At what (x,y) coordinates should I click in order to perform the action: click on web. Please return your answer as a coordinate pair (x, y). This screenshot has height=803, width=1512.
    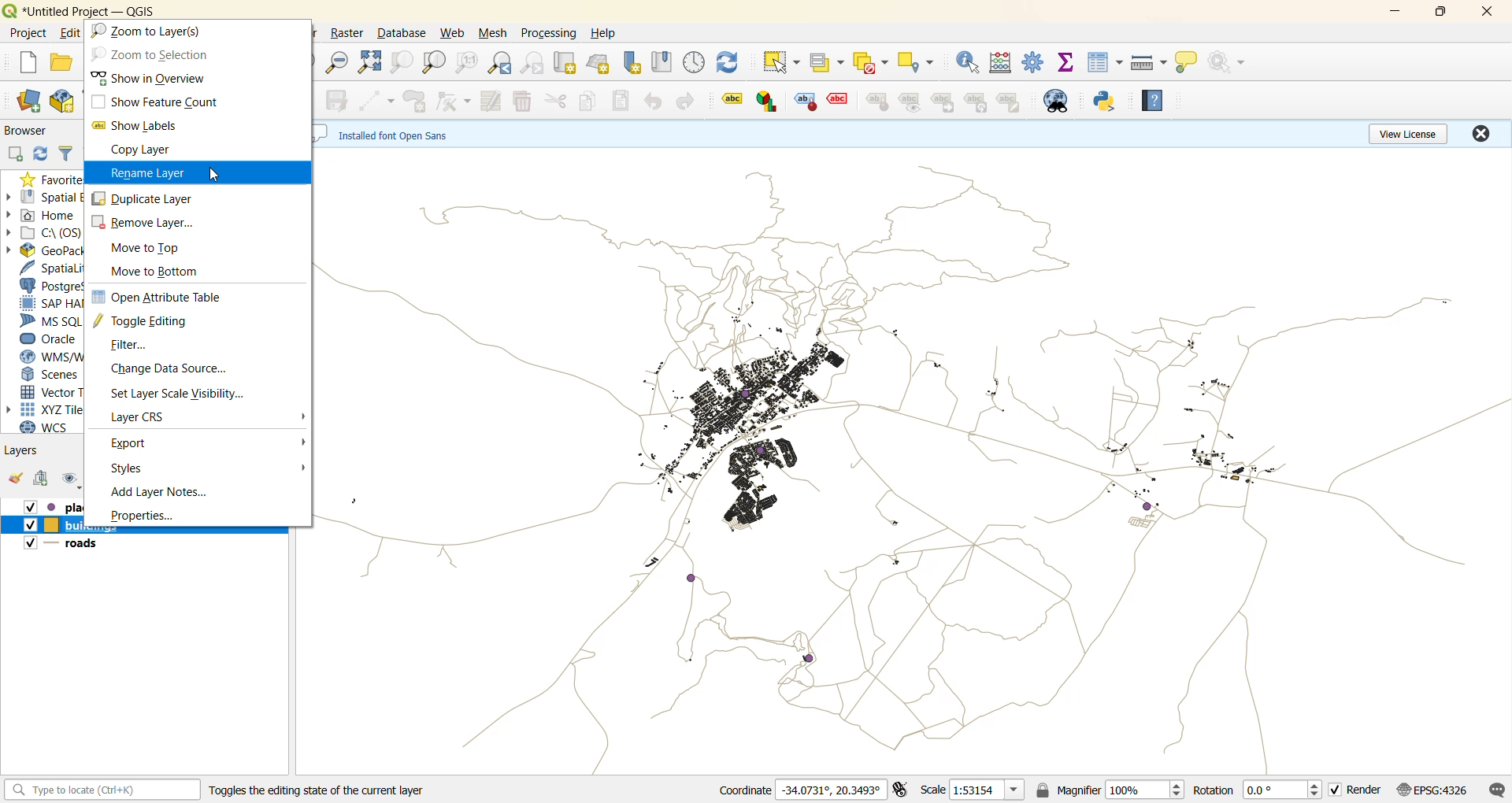
    Looking at the image, I should click on (454, 35).